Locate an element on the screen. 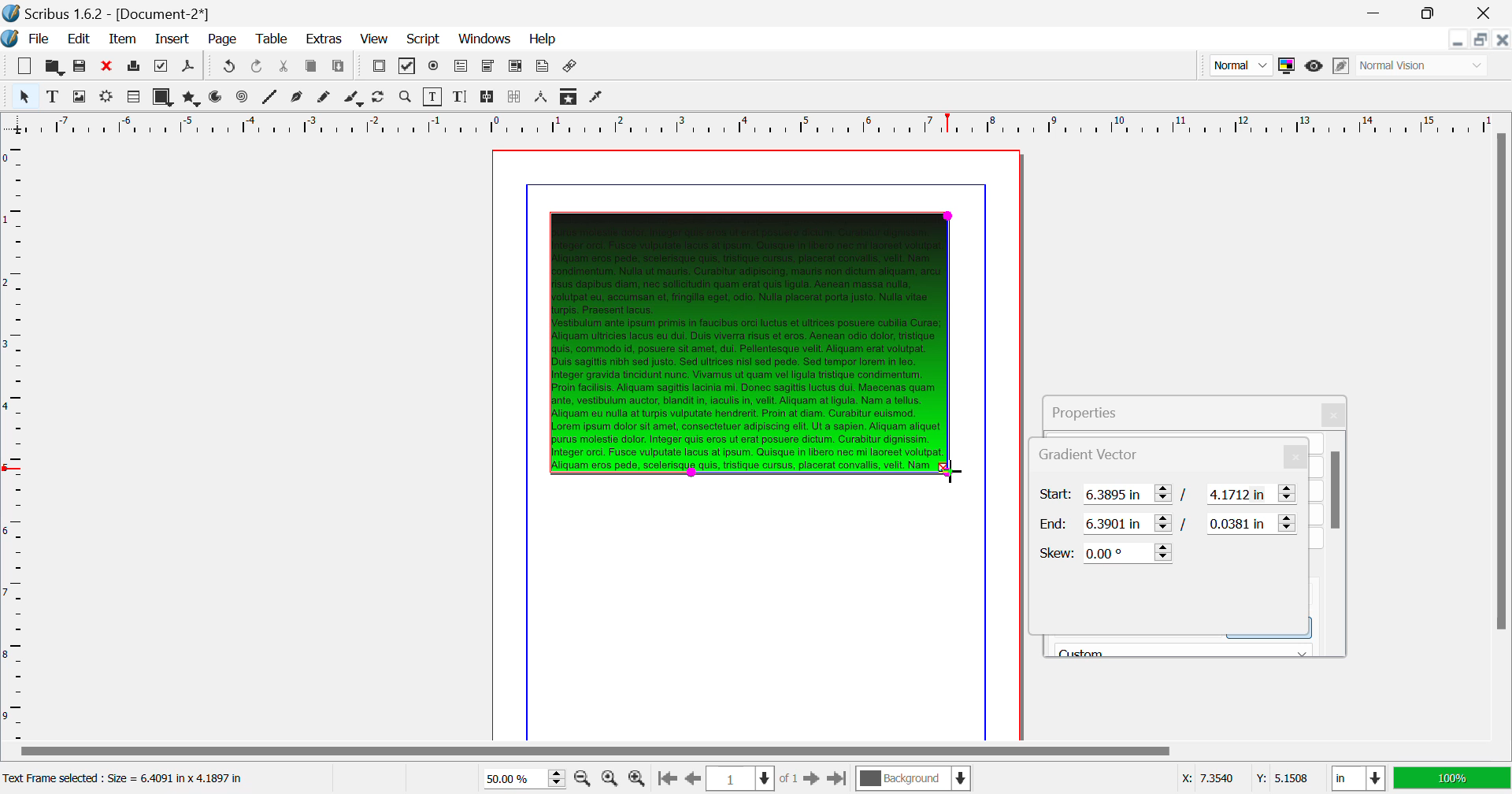 The width and height of the screenshot is (1512, 794). Shapes is located at coordinates (162, 97).